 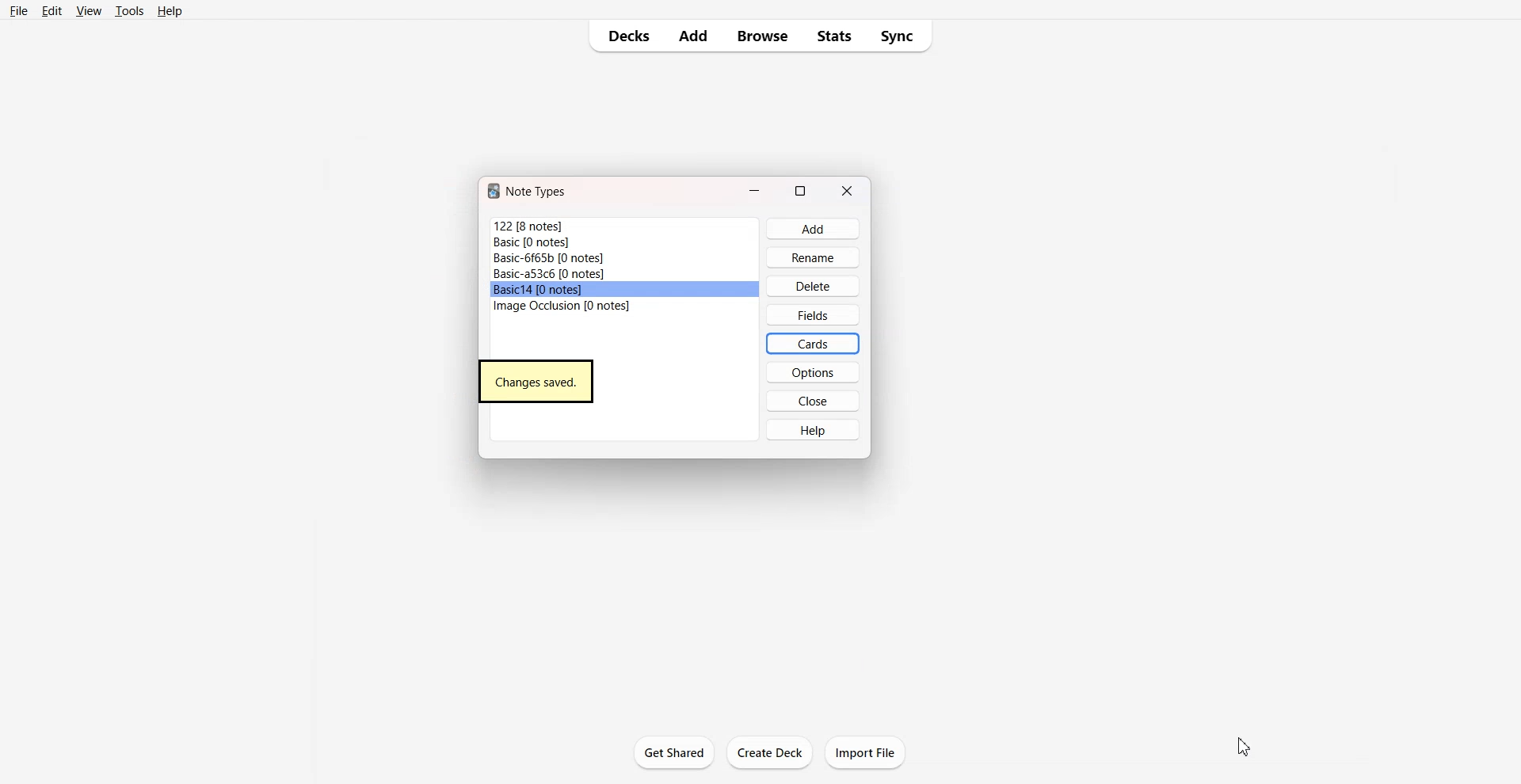 I want to click on Text, so click(x=538, y=192).